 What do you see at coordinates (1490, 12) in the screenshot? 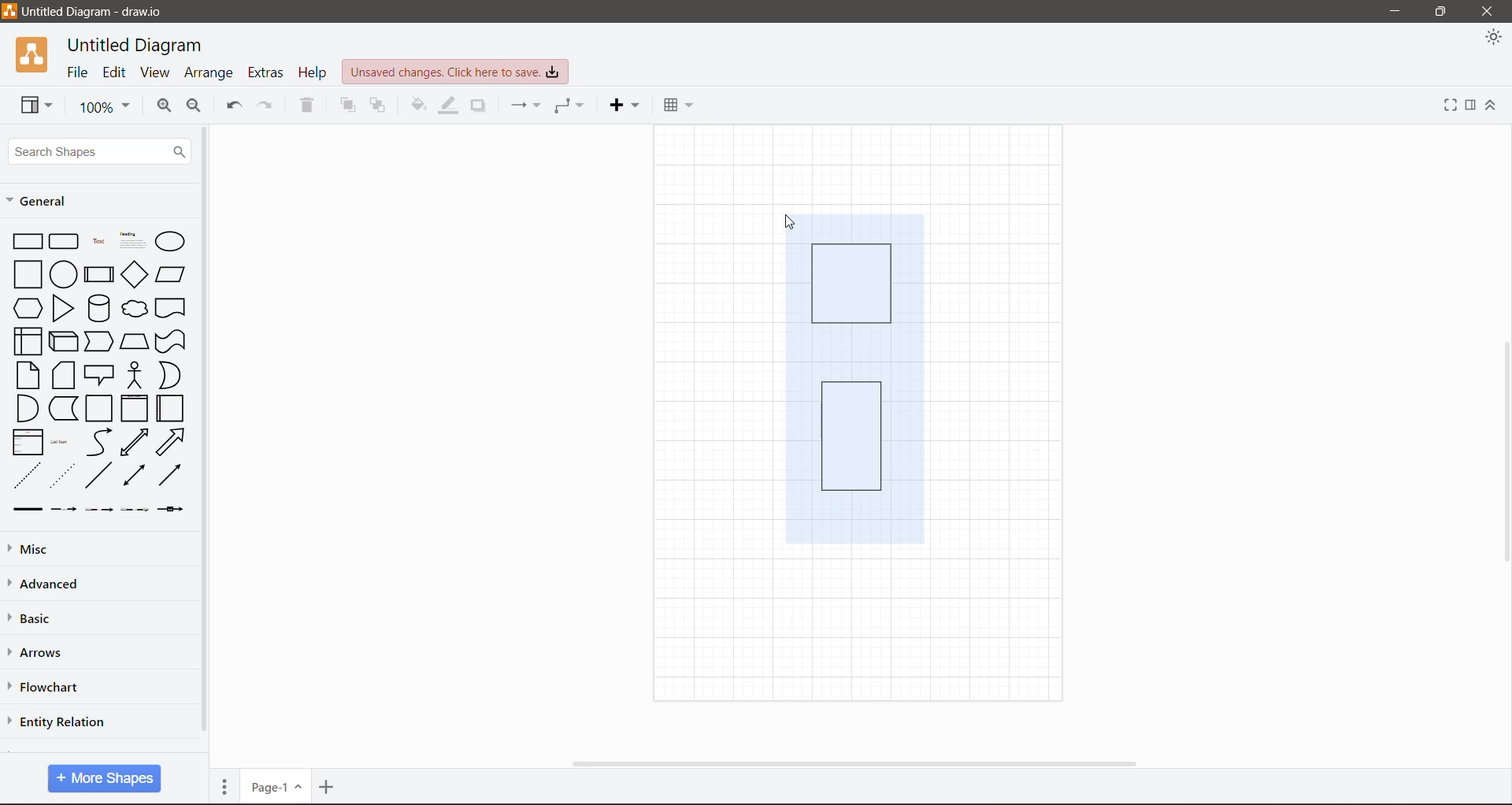
I see `Close` at bounding box center [1490, 12].